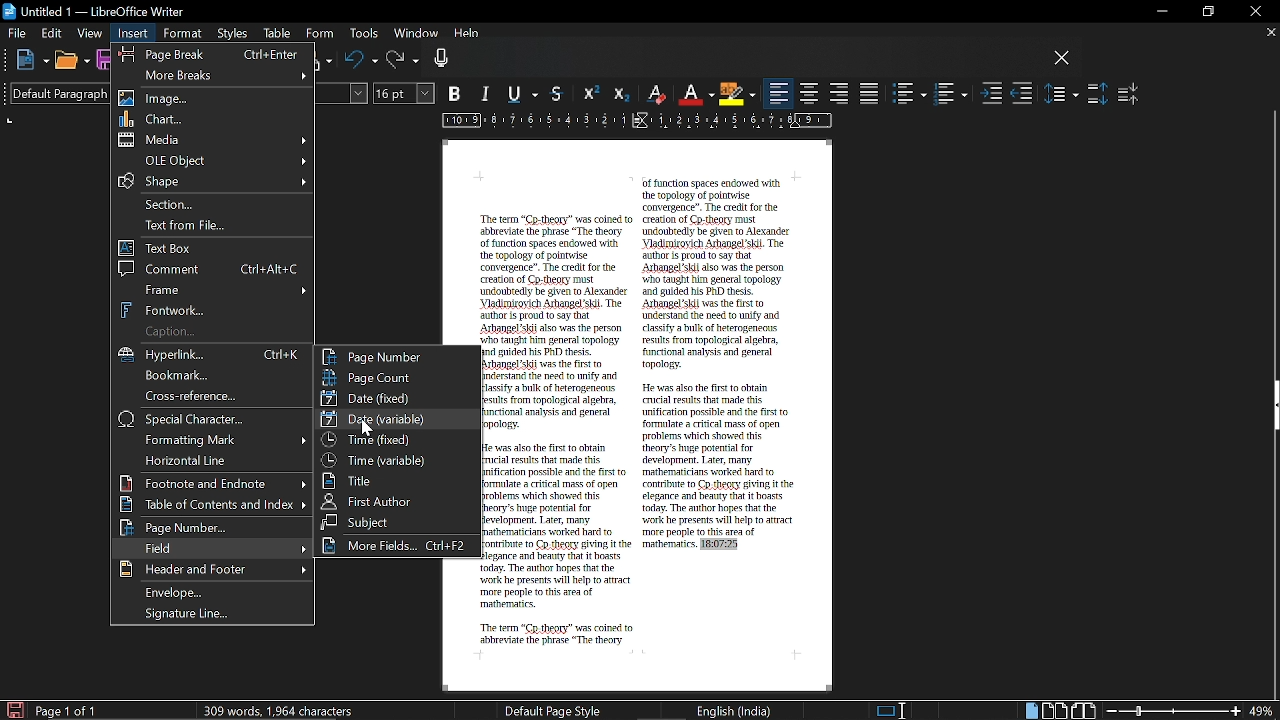  What do you see at coordinates (215, 309) in the screenshot?
I see `Fontwork` at bounding box center [215, 309].